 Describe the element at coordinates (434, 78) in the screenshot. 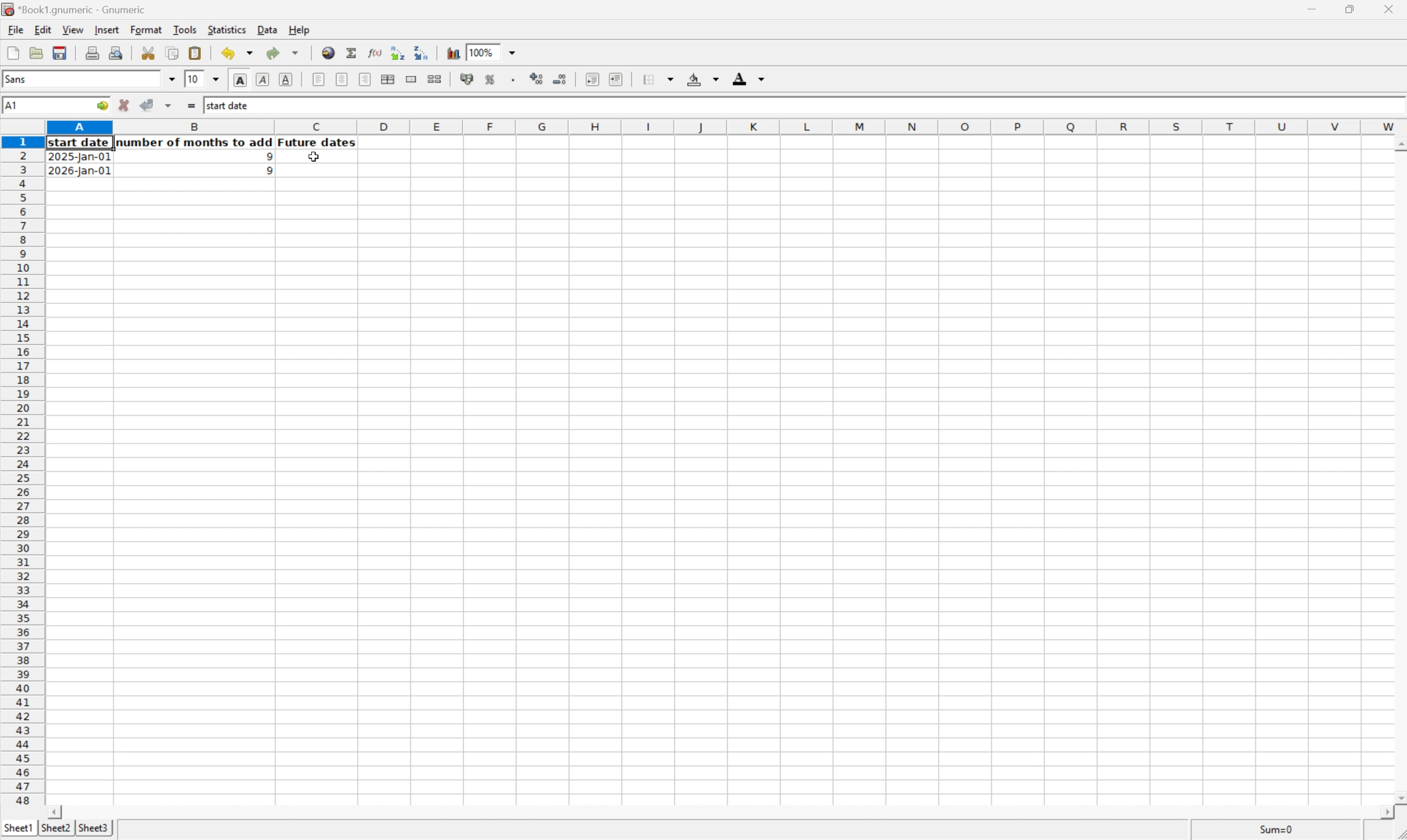

I see `Split the ranges of merged cells` at that location.